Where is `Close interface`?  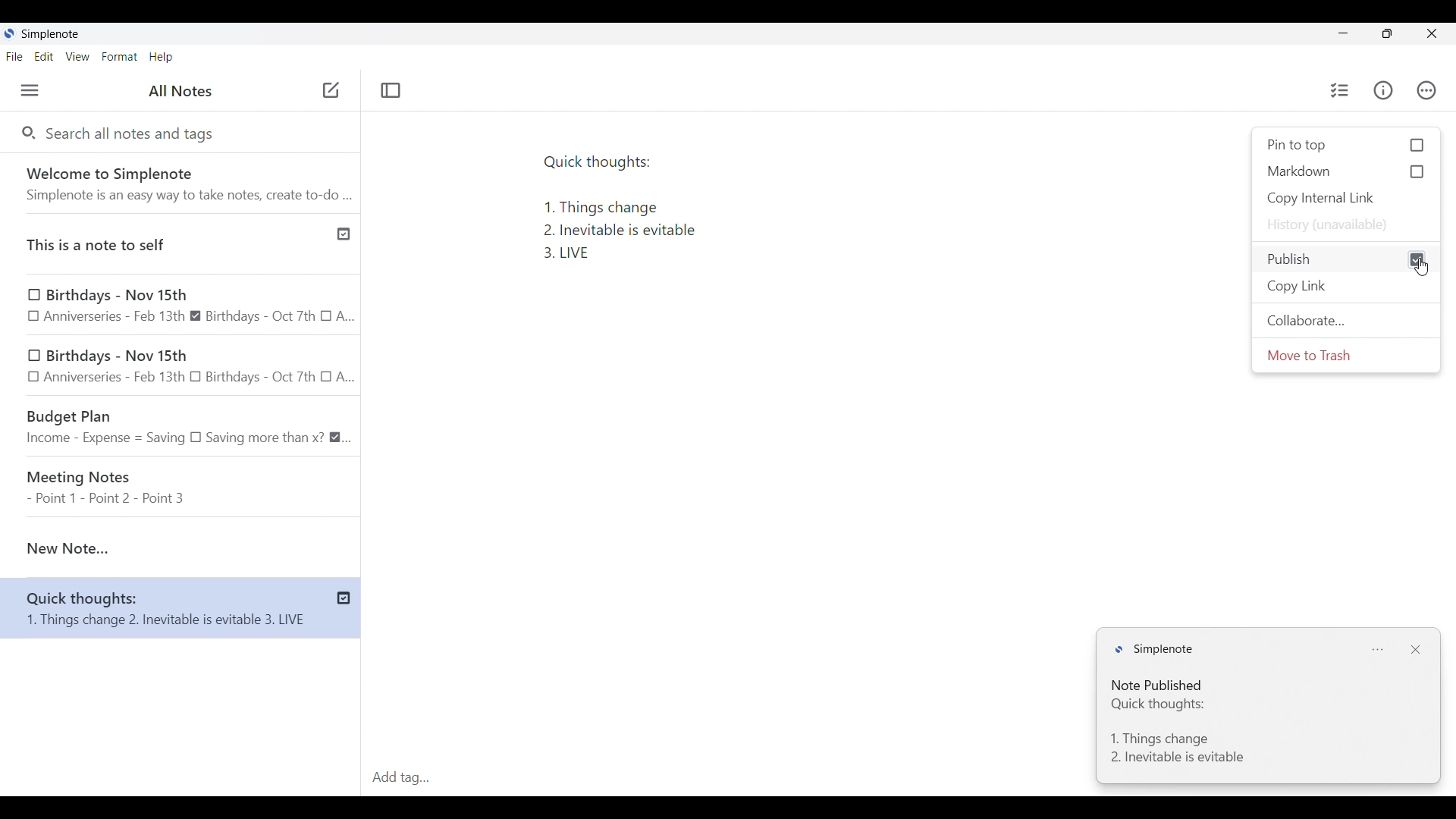 Close interface is located at coordinates (1431, 33).